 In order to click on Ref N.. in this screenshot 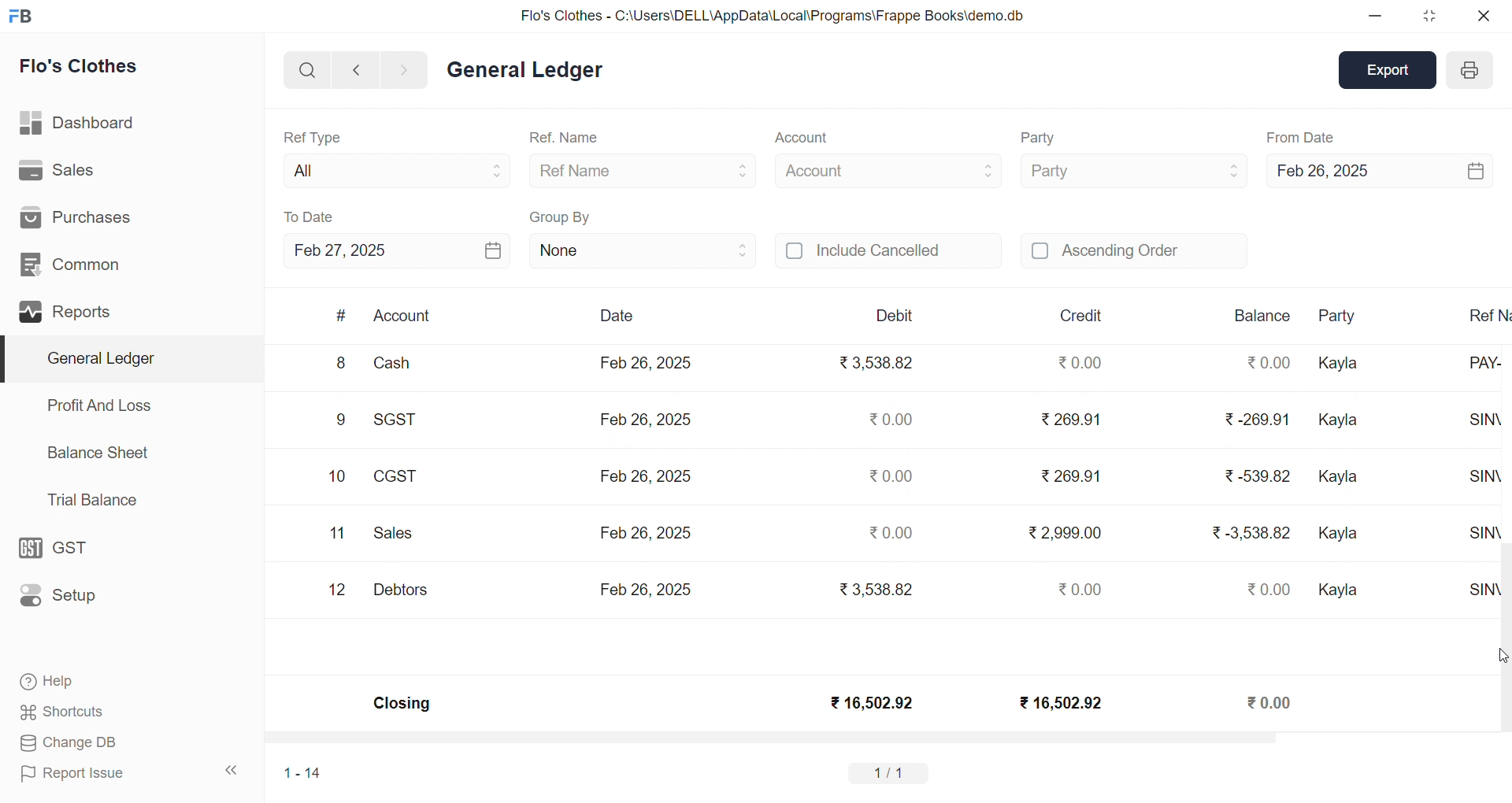, I will do `click(1485, 314)`.